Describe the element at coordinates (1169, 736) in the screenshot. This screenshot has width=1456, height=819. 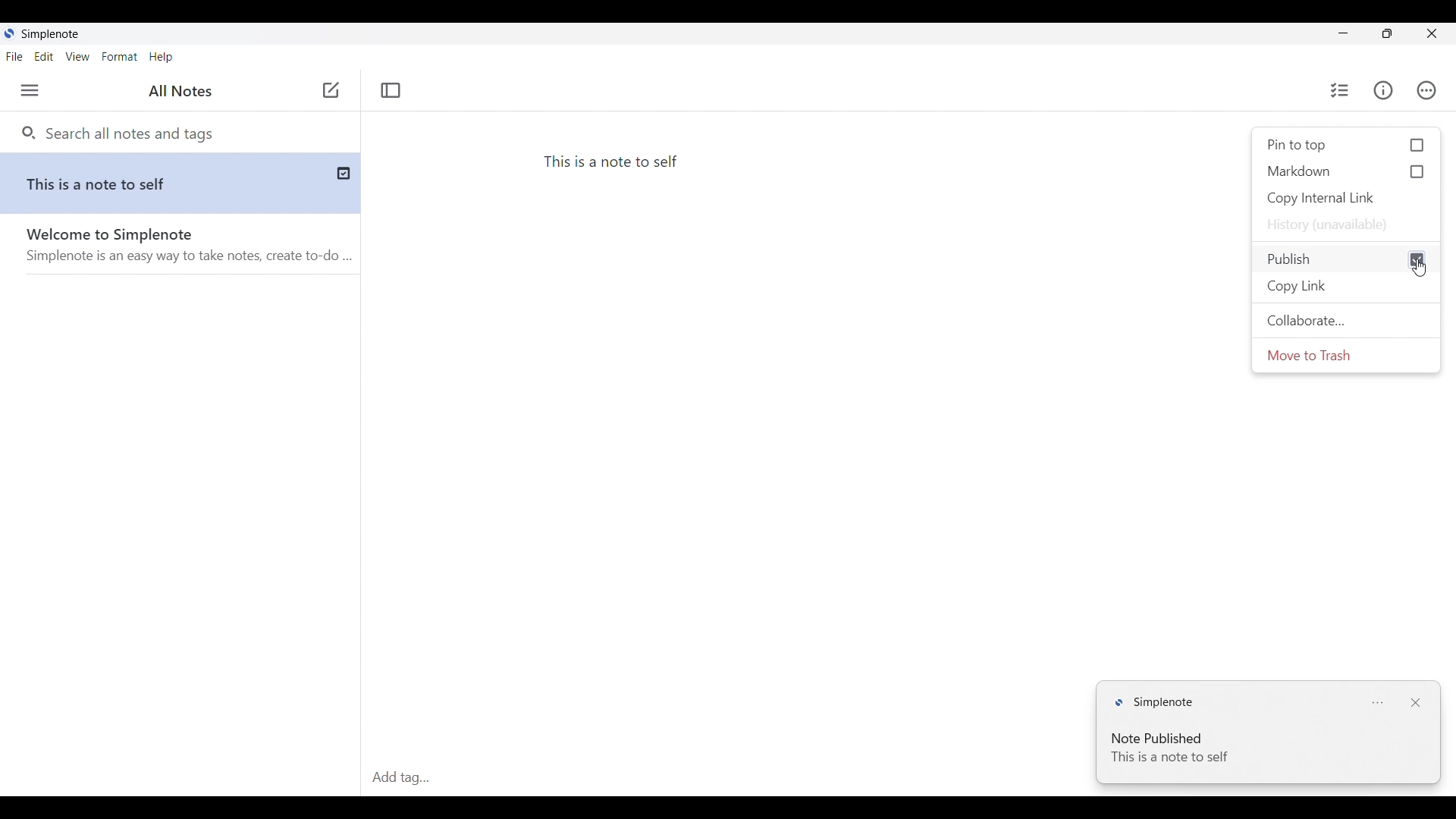
I see `Note Published` at that location.